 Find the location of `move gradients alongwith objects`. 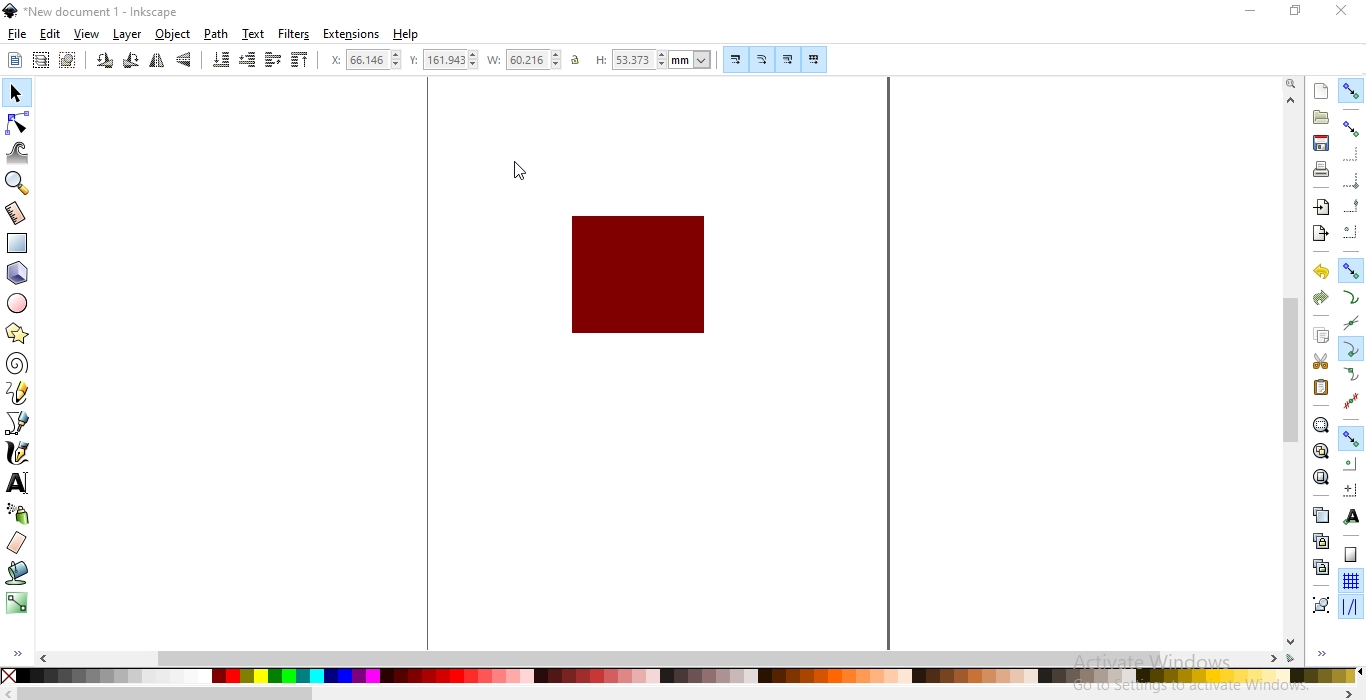

move gradients alongwith objects is located at coordinates (787, 61).